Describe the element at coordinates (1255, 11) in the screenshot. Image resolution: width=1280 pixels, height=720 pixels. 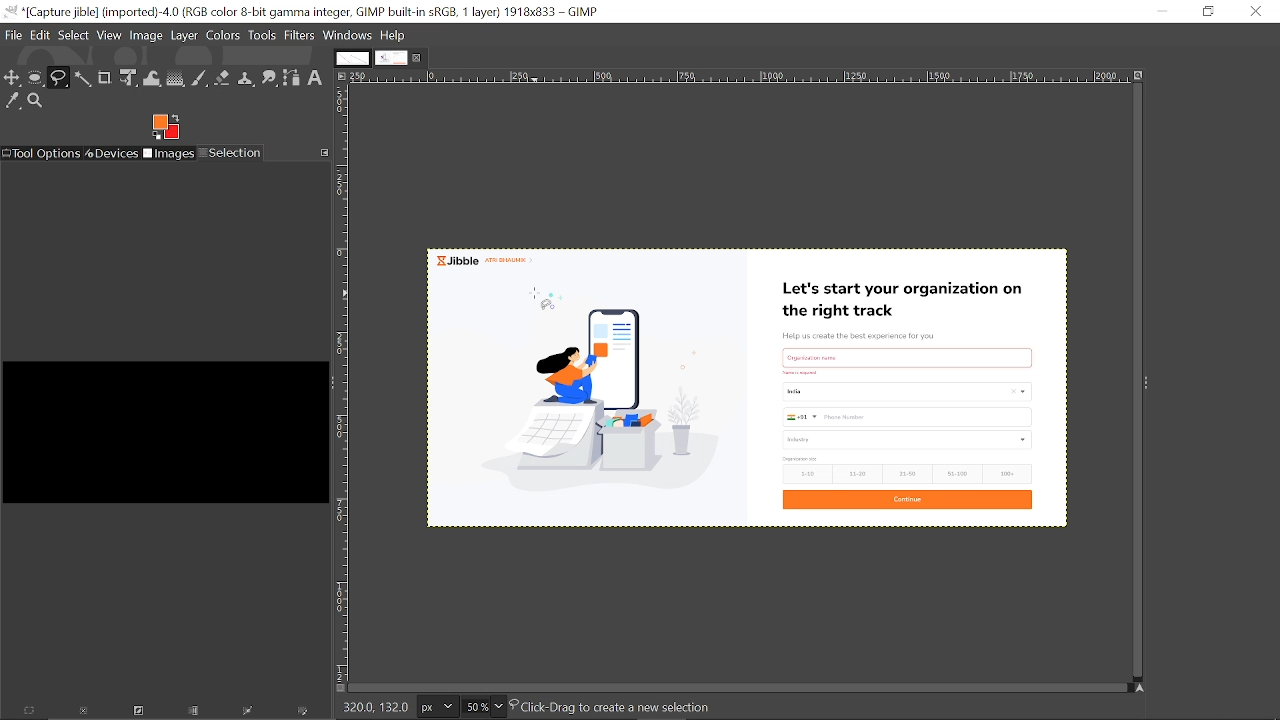
I see `Close` at that location.